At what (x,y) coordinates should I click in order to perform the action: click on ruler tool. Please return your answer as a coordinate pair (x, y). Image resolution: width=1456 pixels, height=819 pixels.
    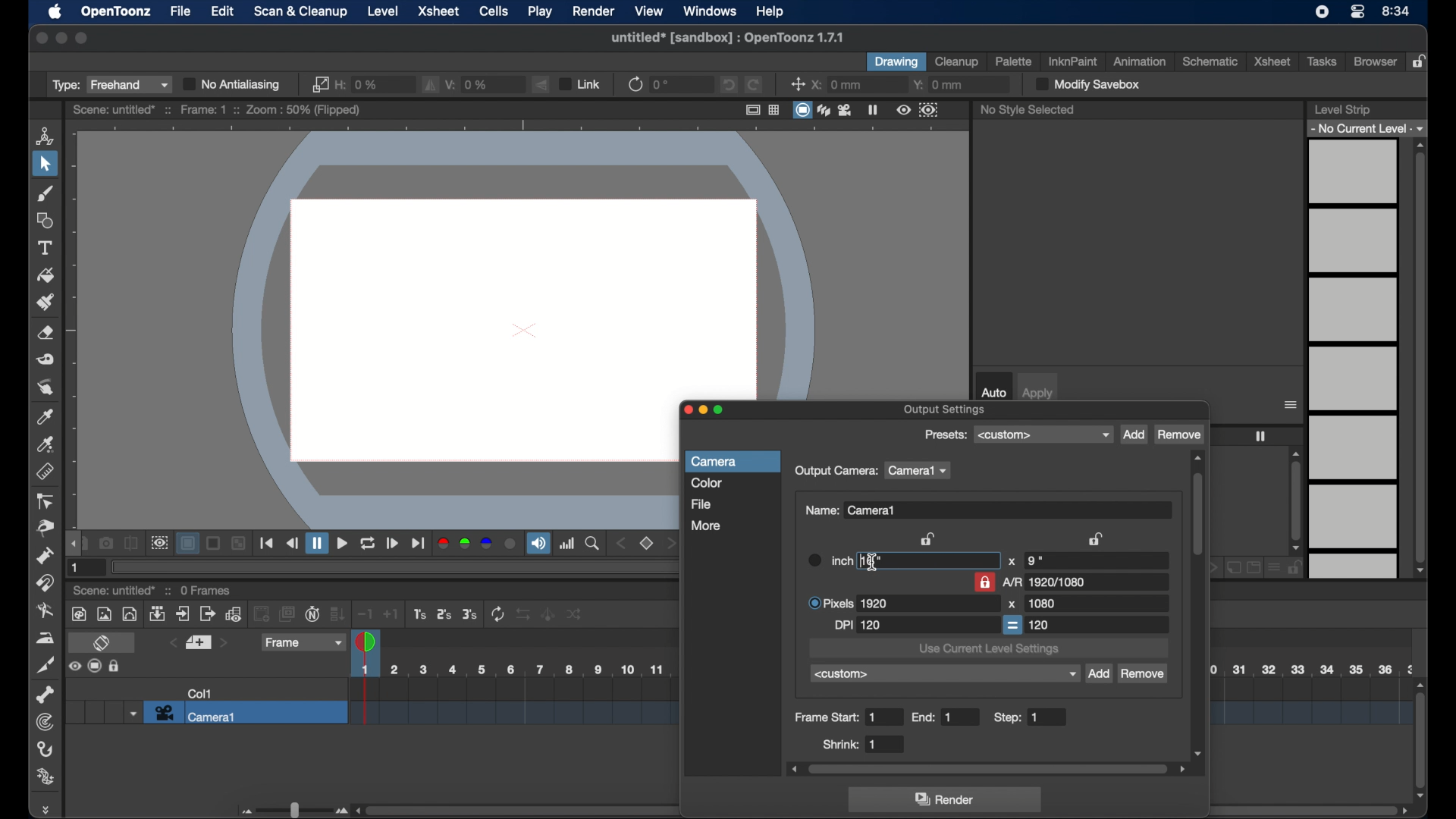
    Looking at the image, I should click on (45, 470).